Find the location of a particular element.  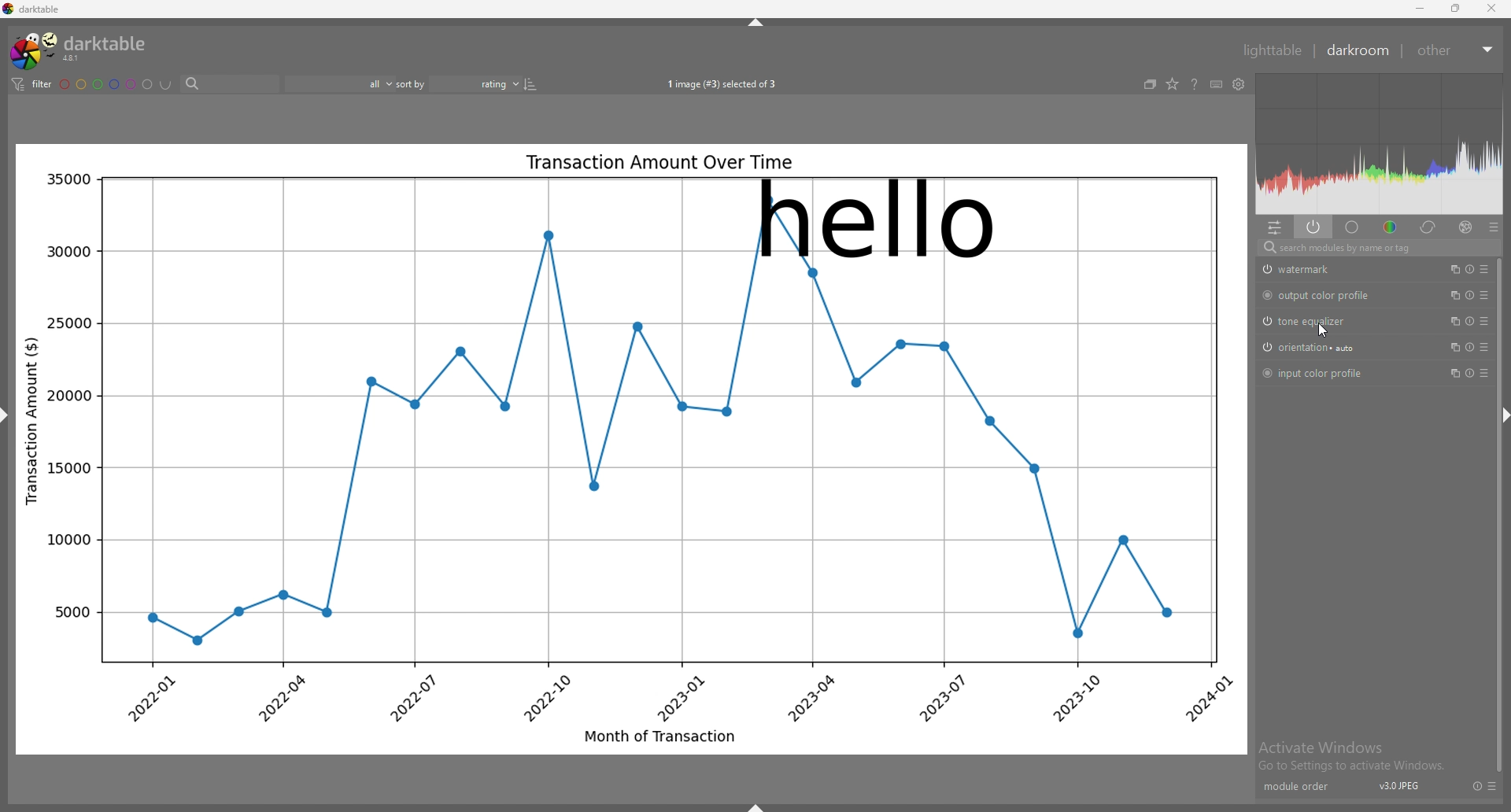

hide is located at coordinates (757, 20).